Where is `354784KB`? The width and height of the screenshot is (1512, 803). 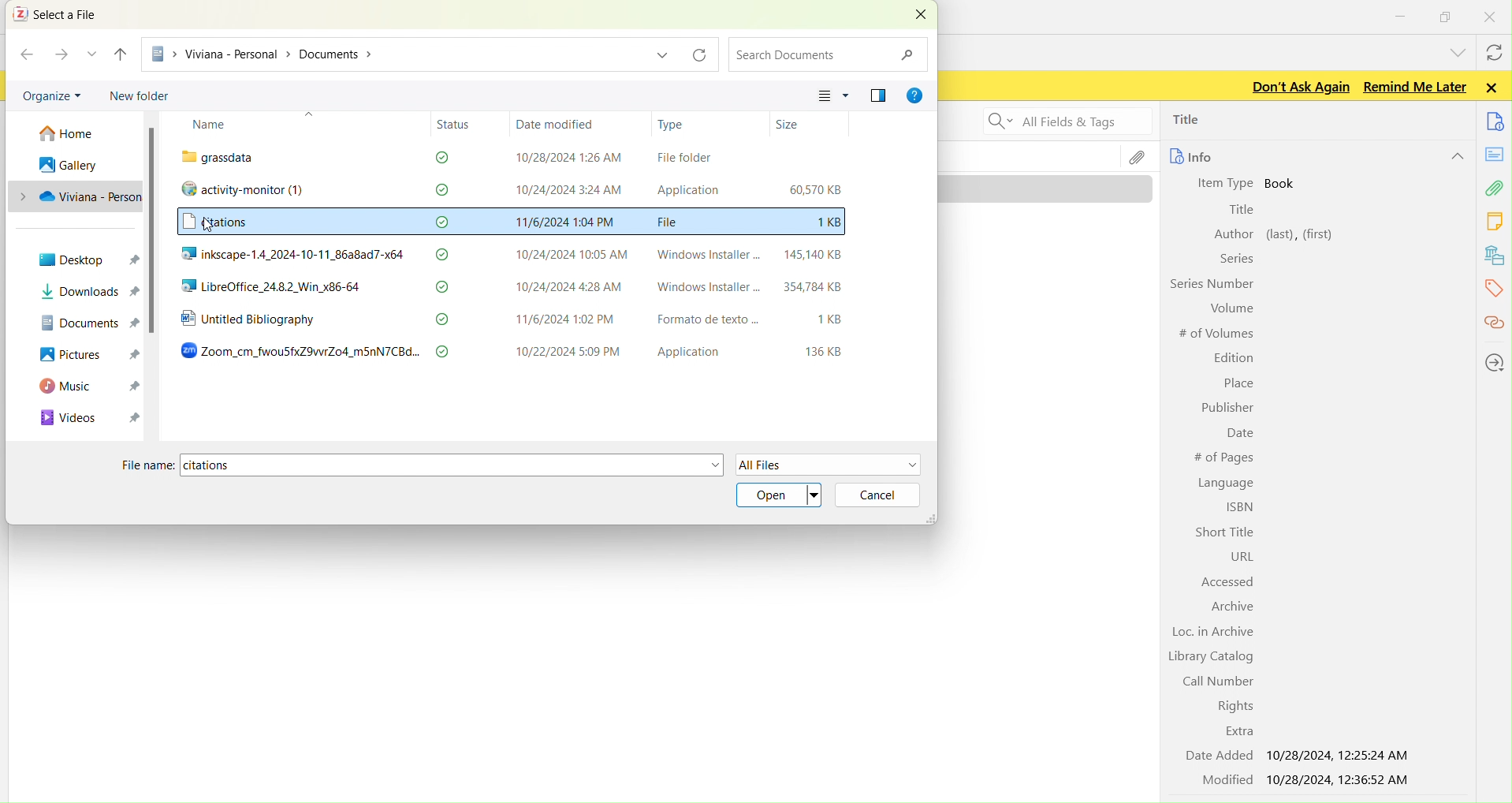 354784KB is located at coordinates (817, 287).